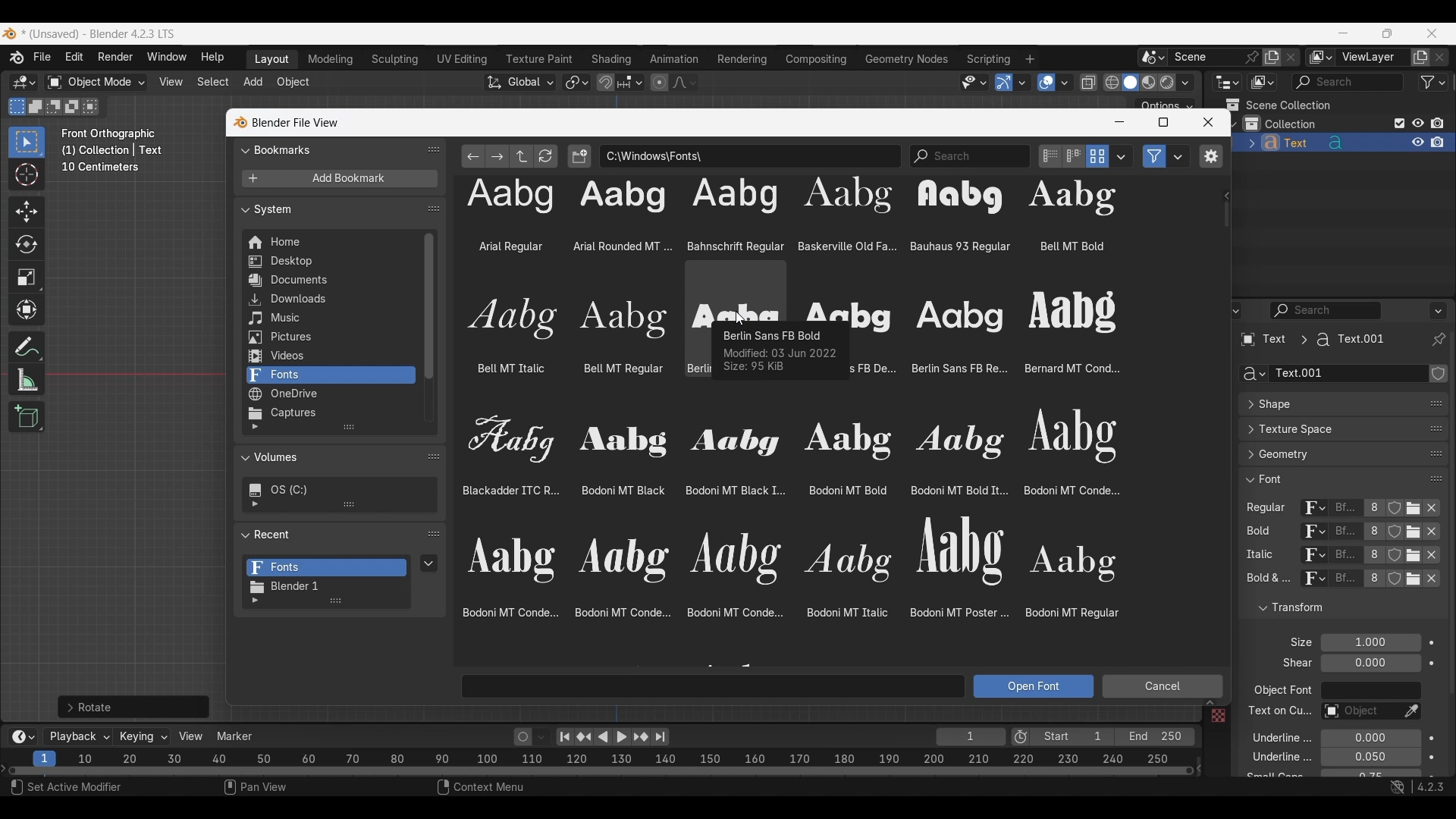 This screenshot has height=819, width=1456. Describe the element at coordinates (1346, 557) in the screenshot. I see `` at that location.